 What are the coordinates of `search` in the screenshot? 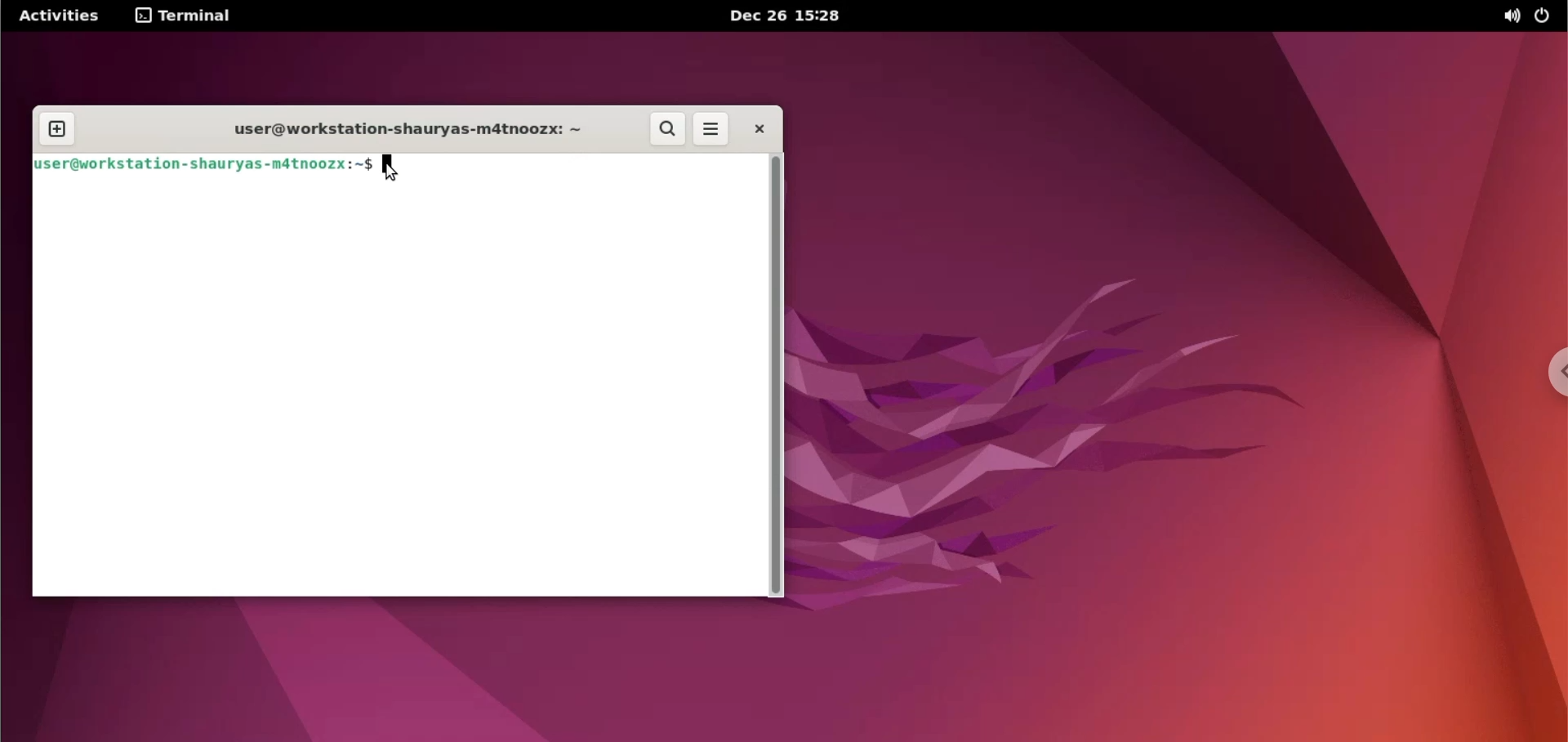 It's located at (667, 129).